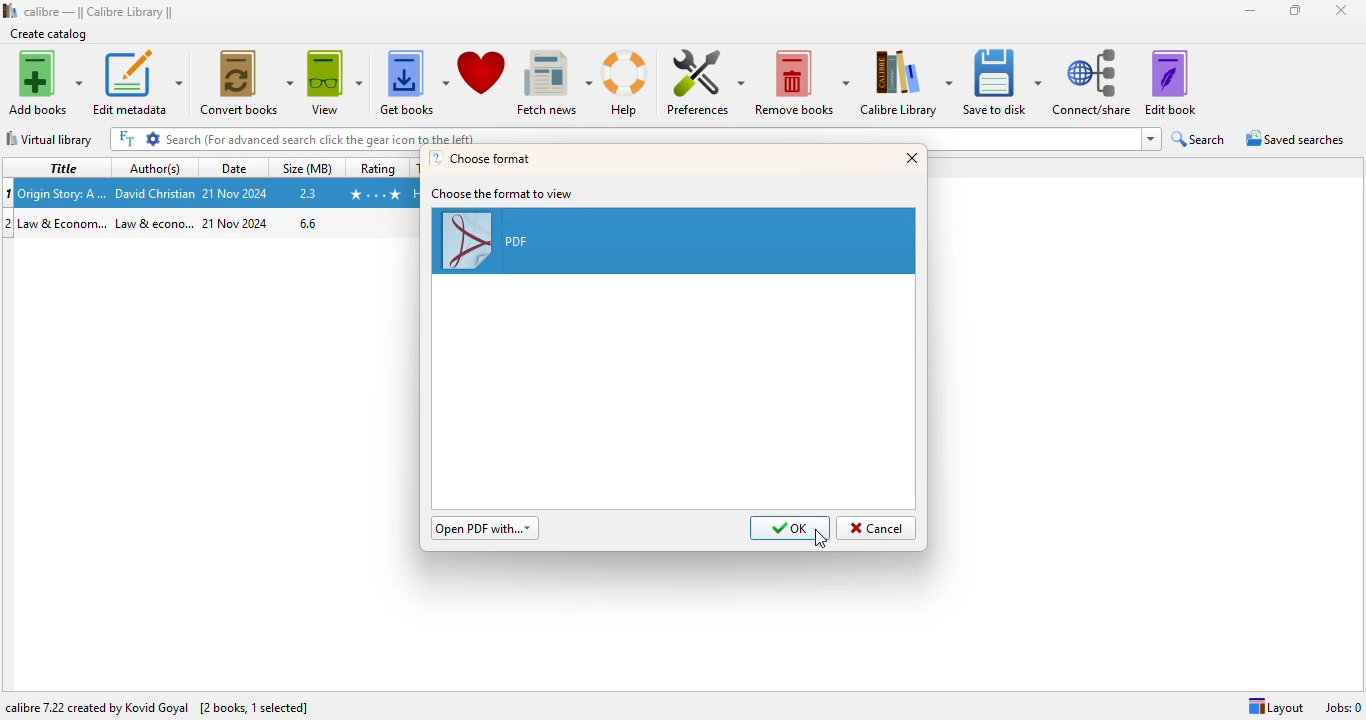  What do you see at coordinates (126, 139) in the screenshot?
I see `FT` at bounding box center [126, 139].